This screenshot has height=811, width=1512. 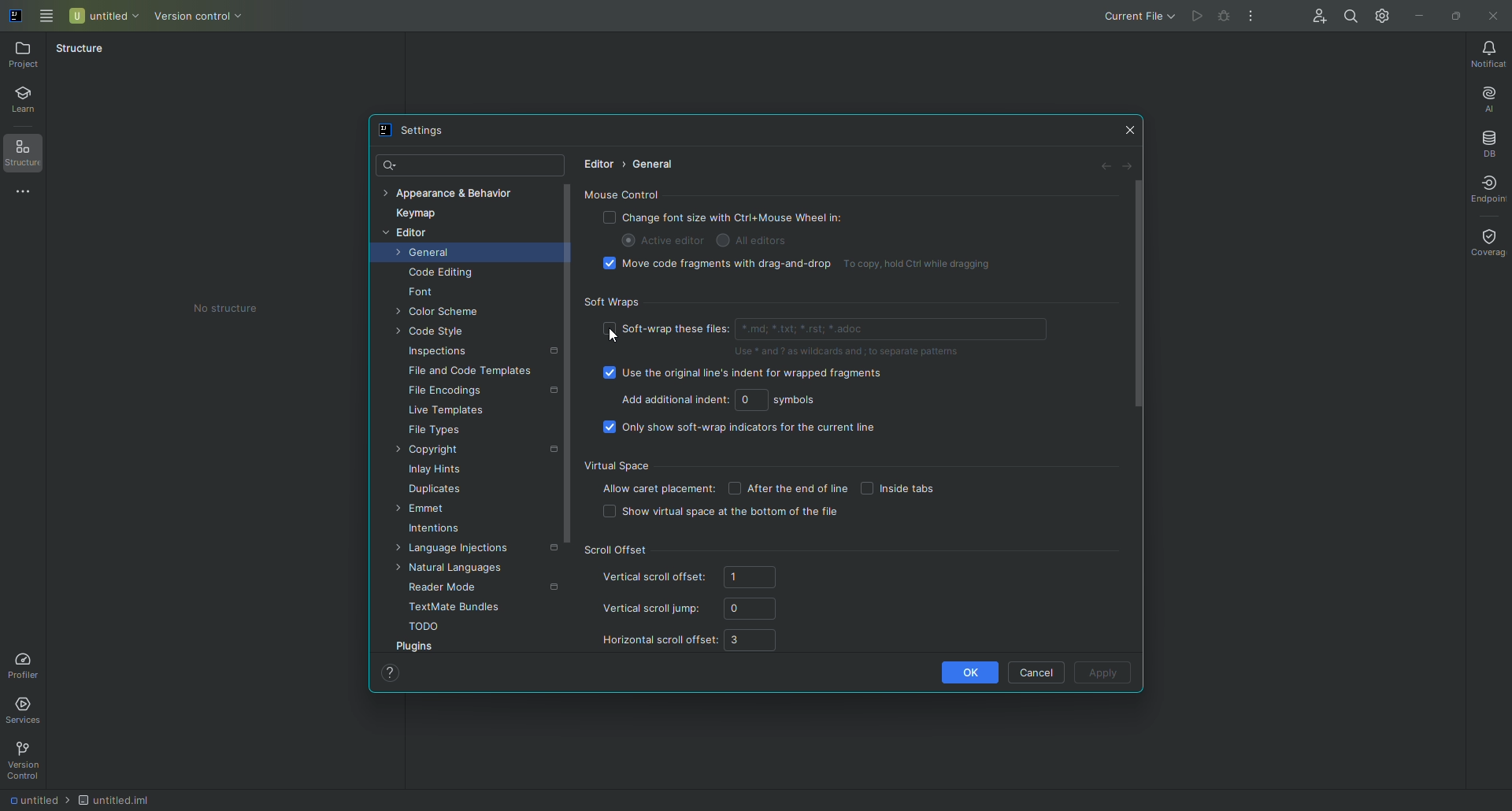 I want to click on Structure, so click(x=83, y=48).